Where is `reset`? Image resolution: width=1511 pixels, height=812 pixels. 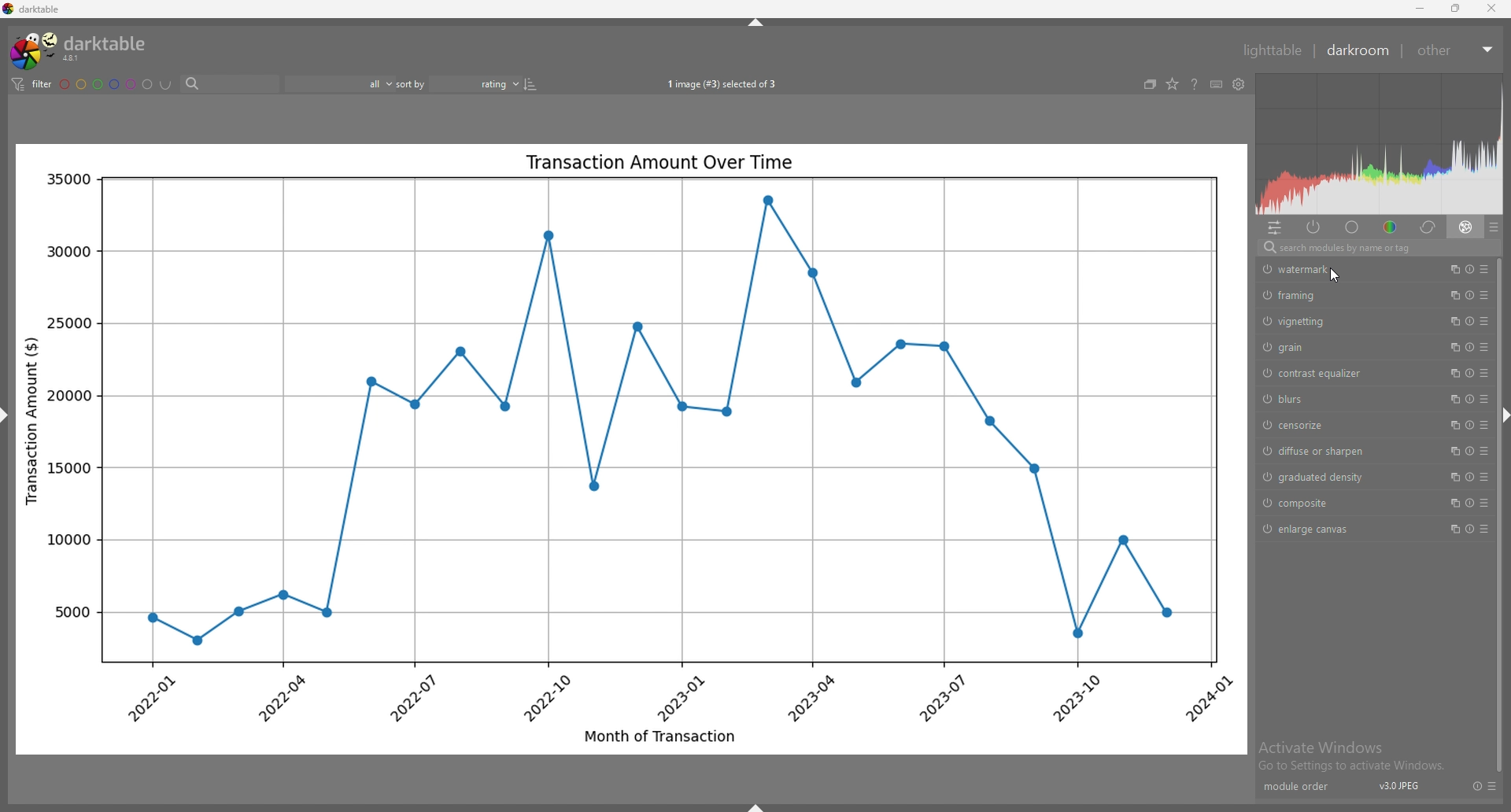
reset is located at coordinates (1469, 321).